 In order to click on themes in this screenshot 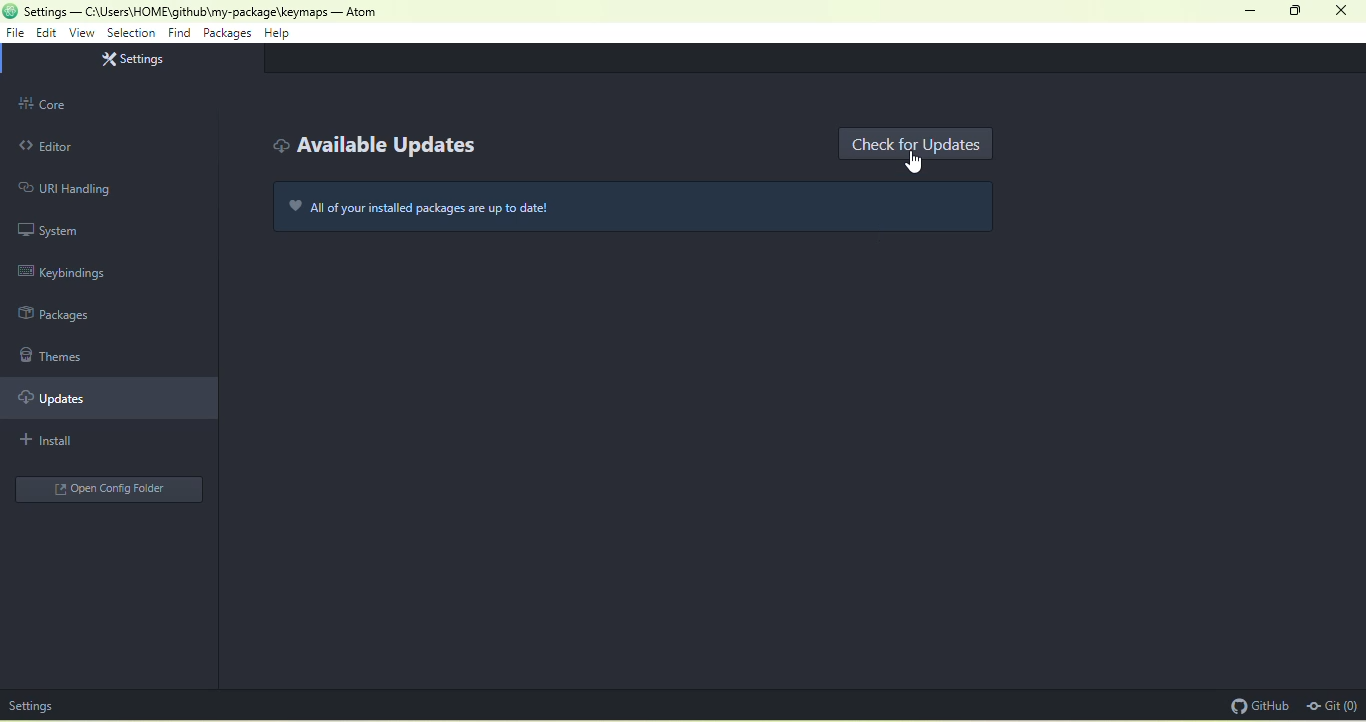, I will do `click(56, 355)`.